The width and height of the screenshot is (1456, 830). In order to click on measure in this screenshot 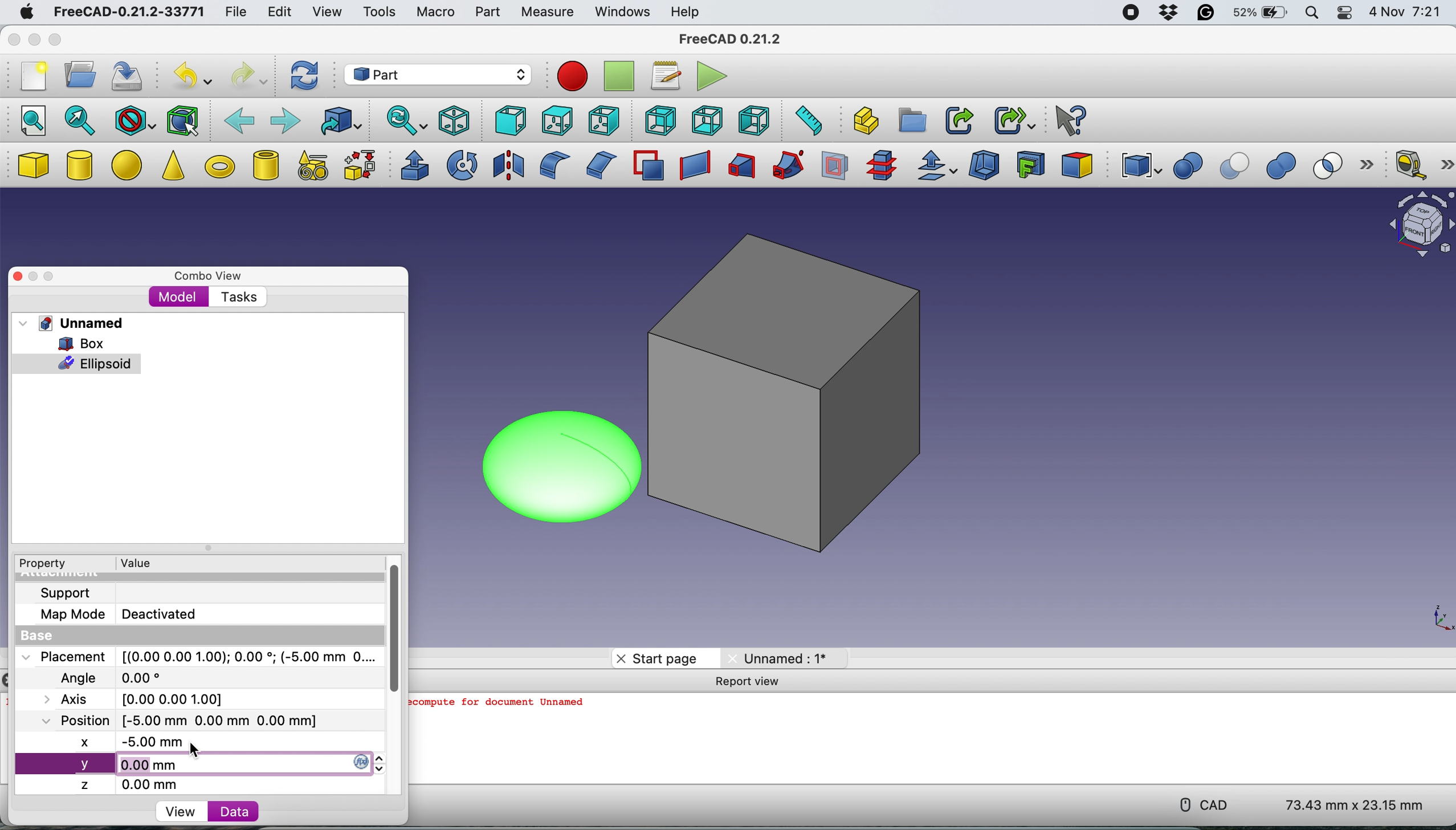, I will do `click(546, 13)`.